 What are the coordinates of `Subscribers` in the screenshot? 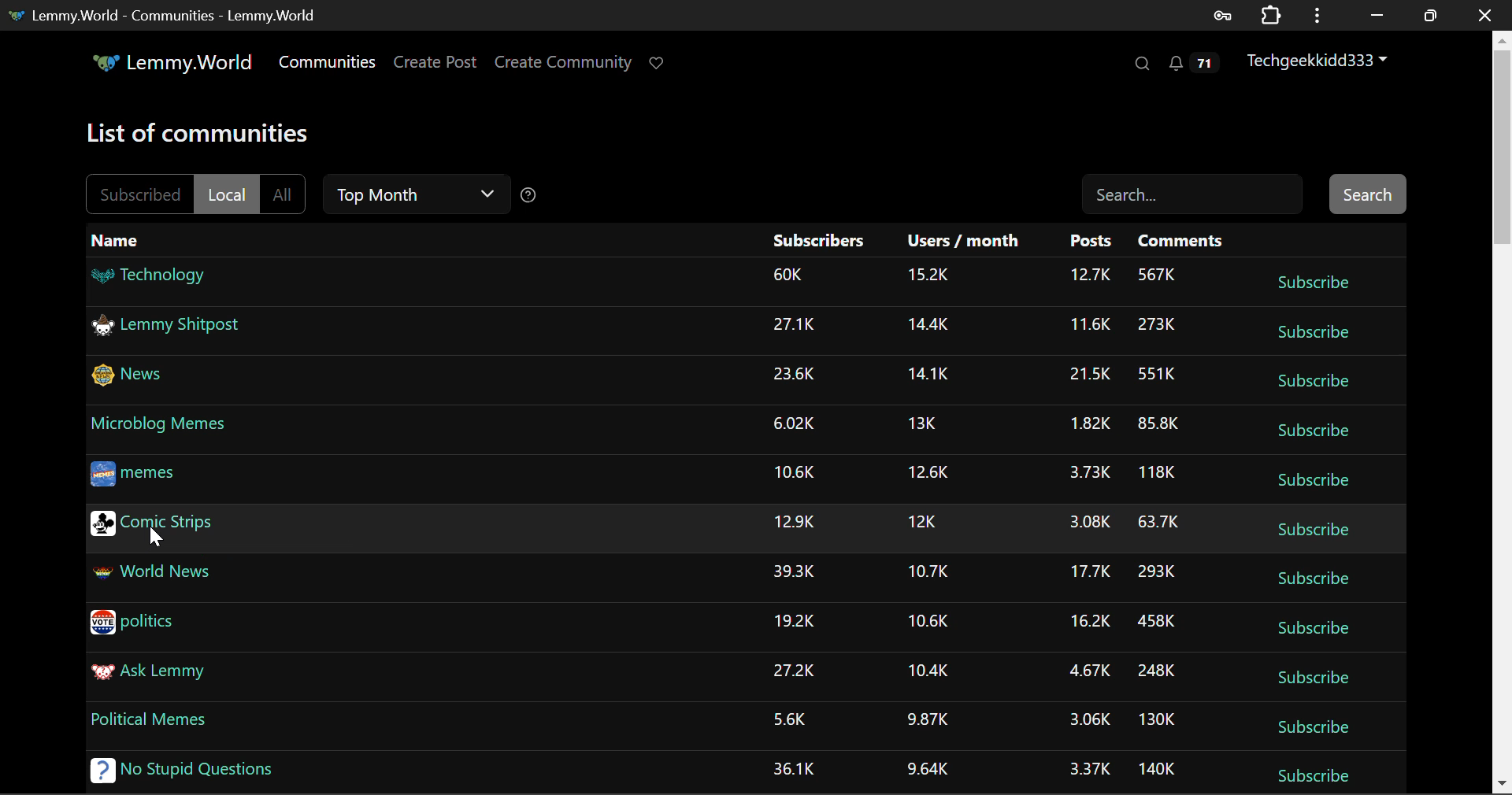 It's located at (819, 238).